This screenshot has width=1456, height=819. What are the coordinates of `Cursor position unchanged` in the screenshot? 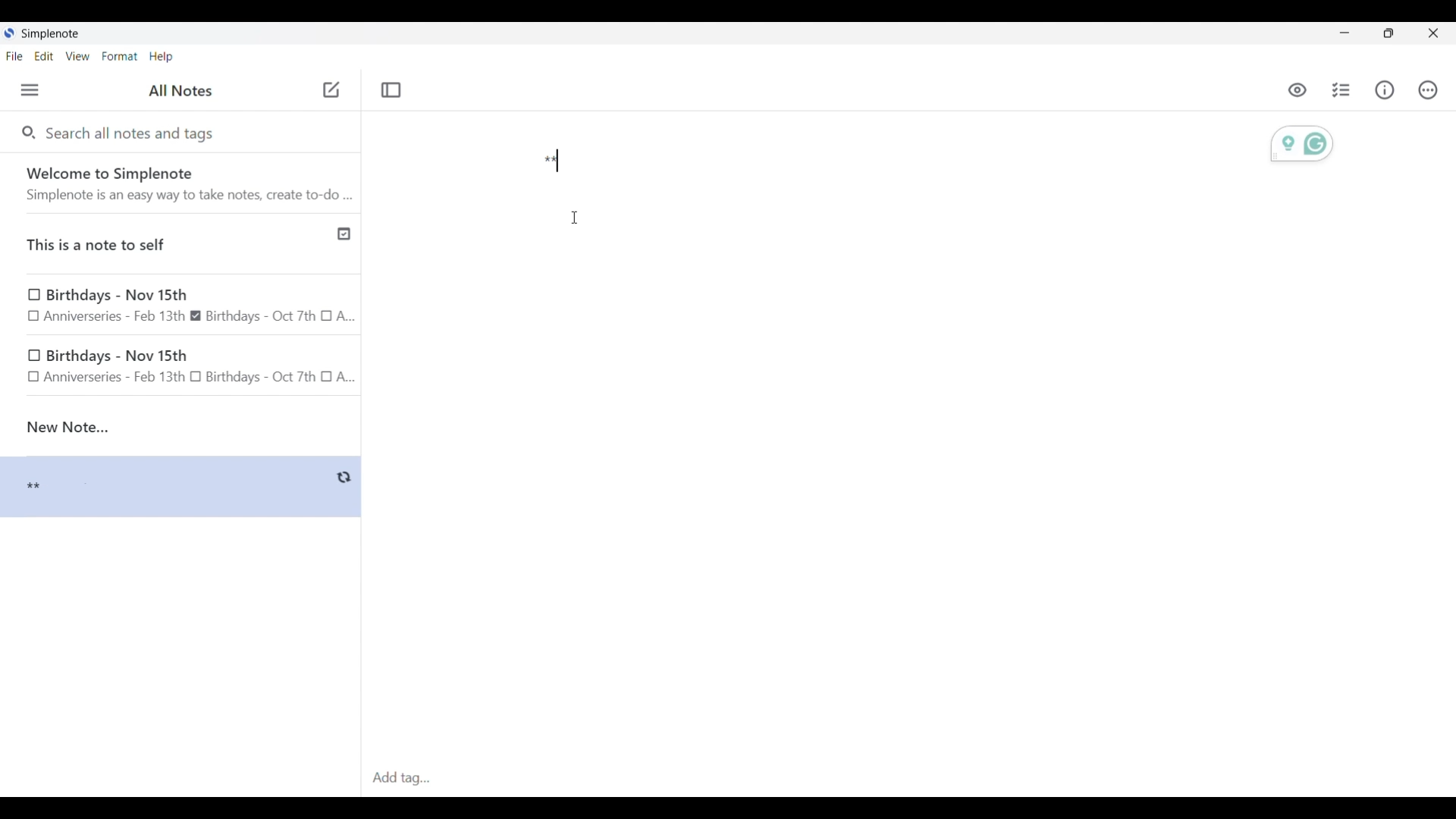 It's located at (575, 218).